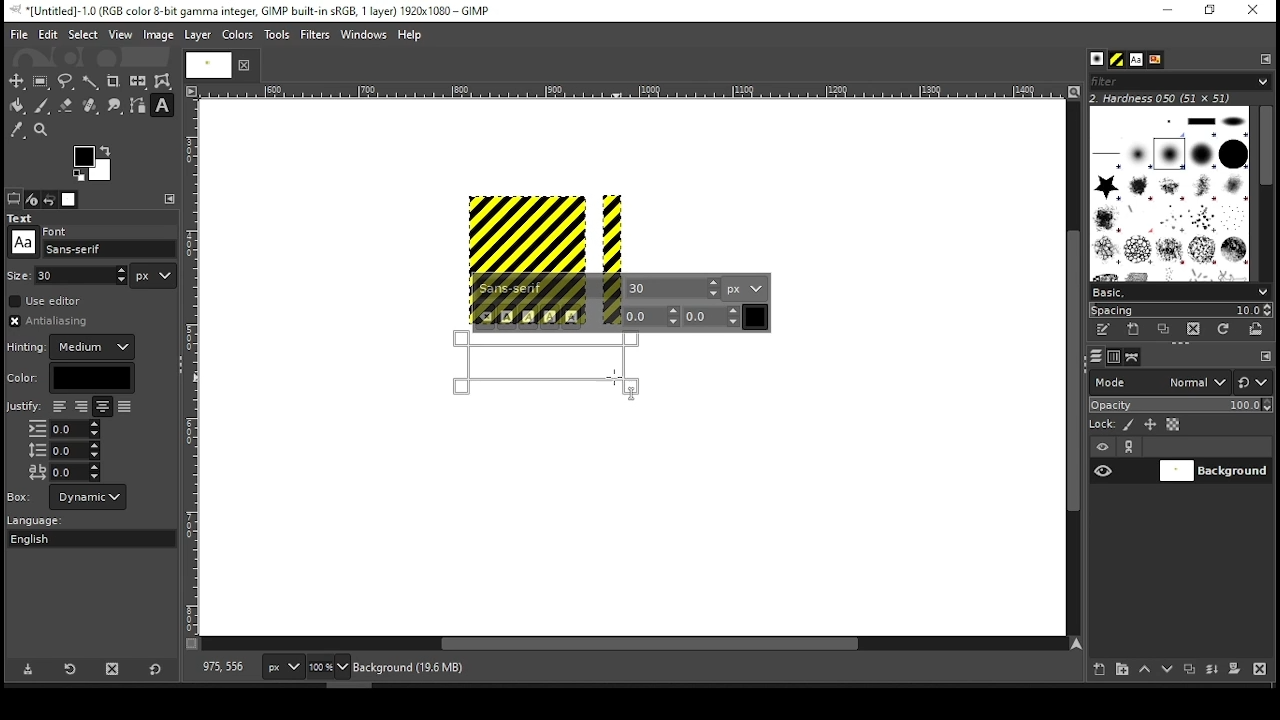 The width and height of the screenshot is (1280, 720). I want to click on underline, so click(550, 317).